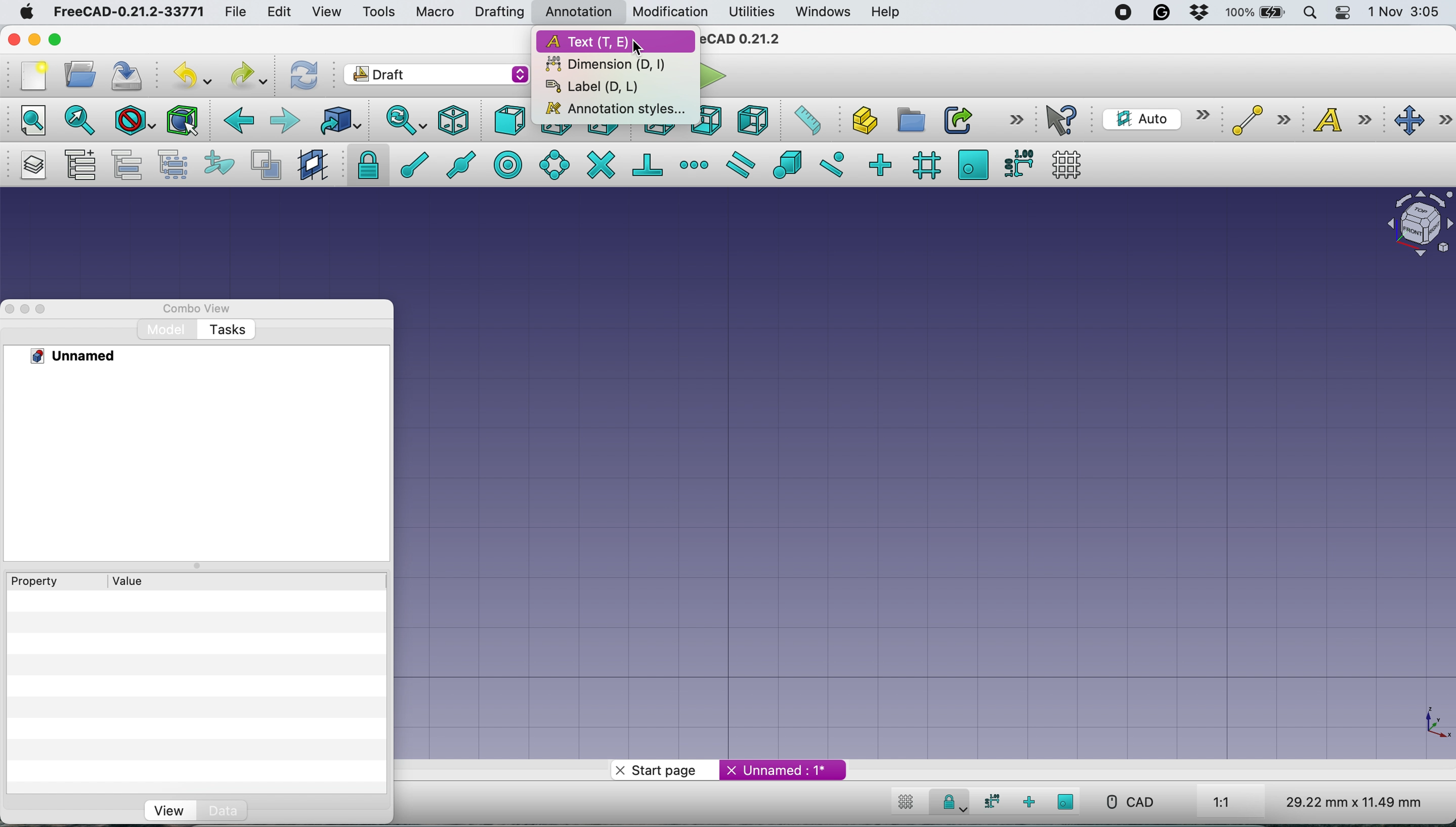  What do you see at coordinates (1036, 801) in the screenshot?
I see `snap ortho` at bounding box center [1036, 801].